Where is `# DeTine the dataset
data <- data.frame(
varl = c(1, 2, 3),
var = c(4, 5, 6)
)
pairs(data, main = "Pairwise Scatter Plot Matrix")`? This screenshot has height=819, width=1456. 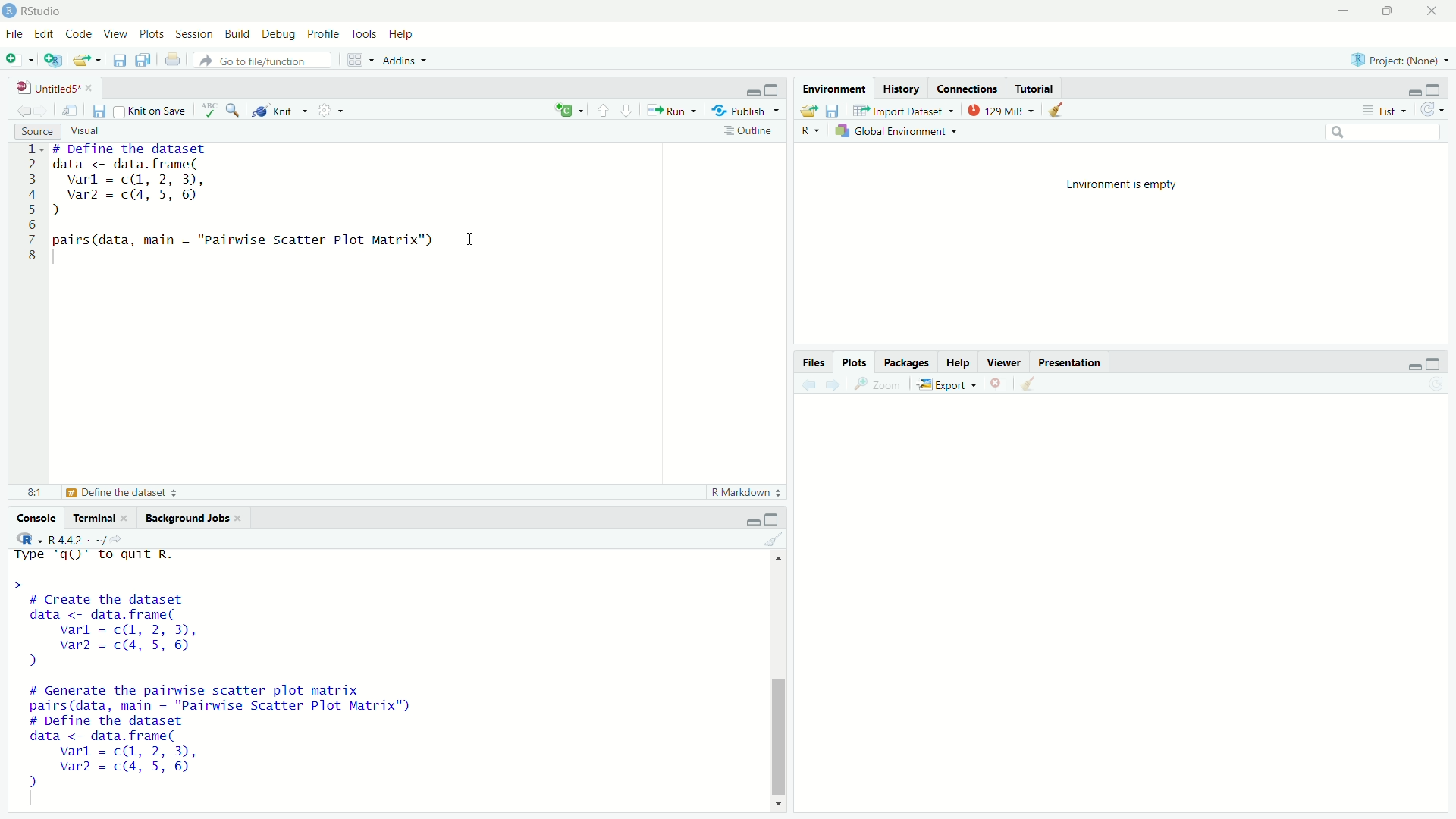 # DeTine the dataset
data <- data.frame(
varl = c(1, 2, 3),
var = c(4, 5, 6)
)
pairs(data, main = "Pairwise Scatter Plot Matrix") is located at coordinates (252, 214).